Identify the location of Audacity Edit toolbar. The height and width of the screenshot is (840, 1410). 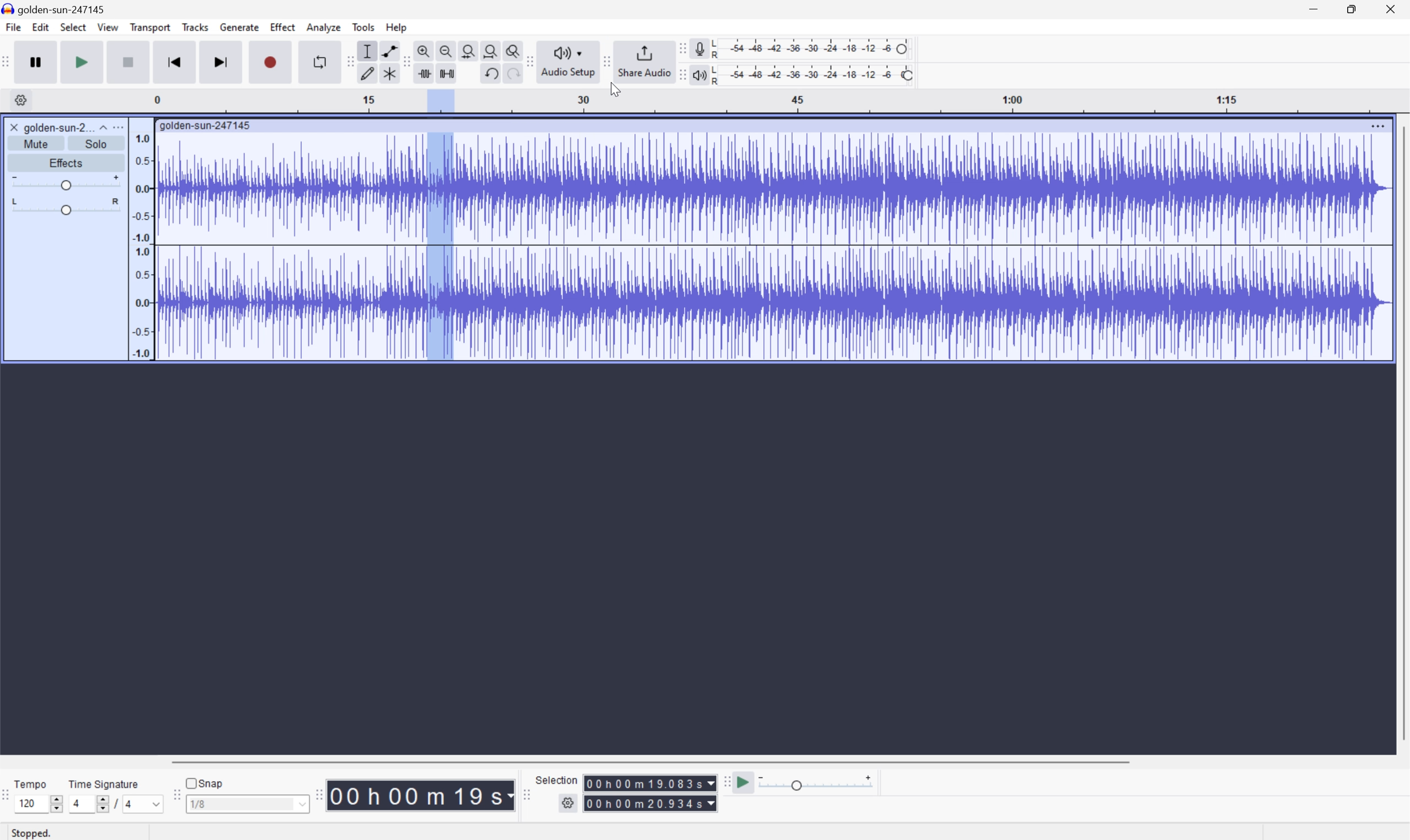
(347, 62).